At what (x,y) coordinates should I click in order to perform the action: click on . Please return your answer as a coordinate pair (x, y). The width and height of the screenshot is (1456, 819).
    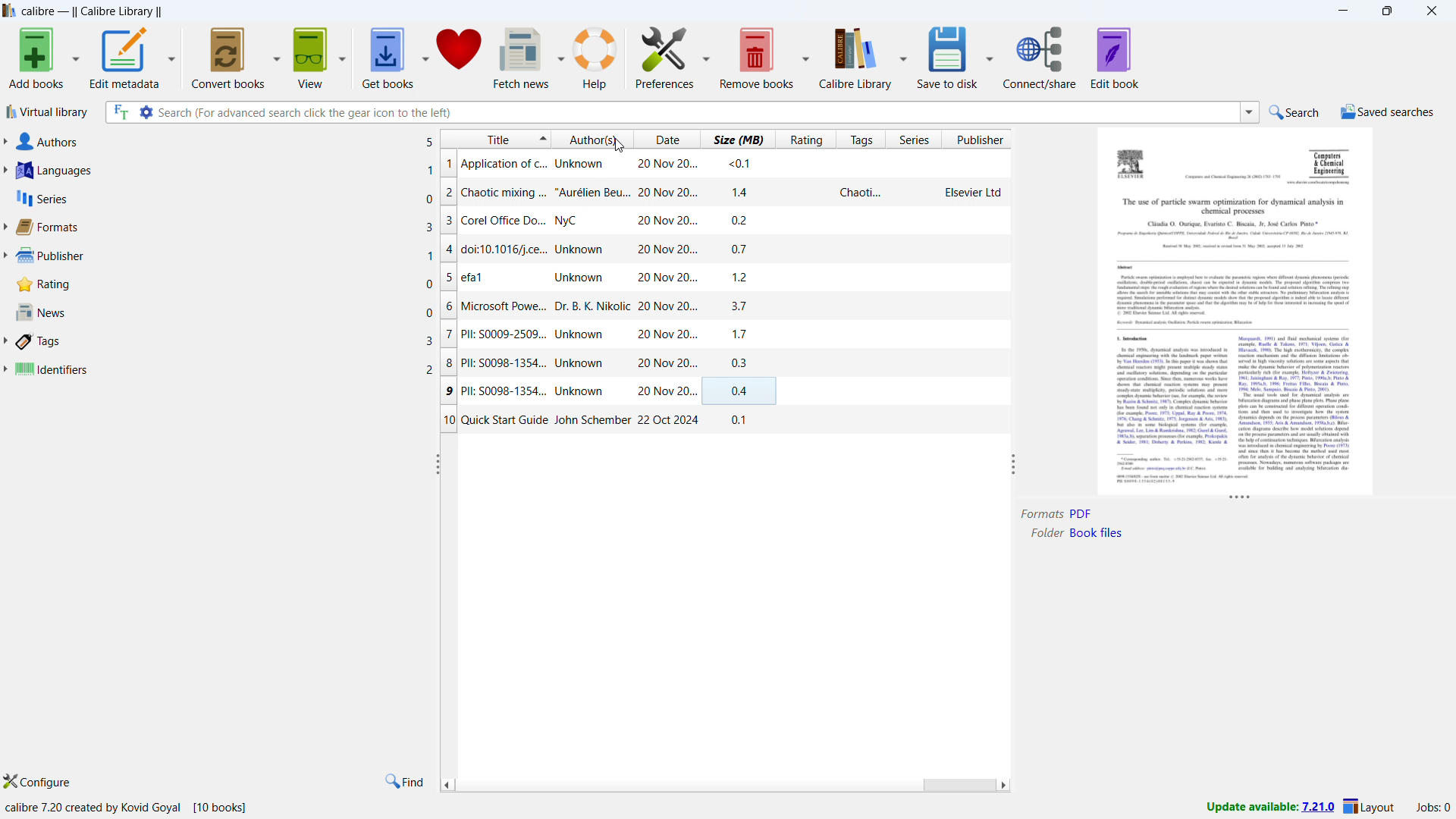
    Looking at the image, I should click on (1237, 205).